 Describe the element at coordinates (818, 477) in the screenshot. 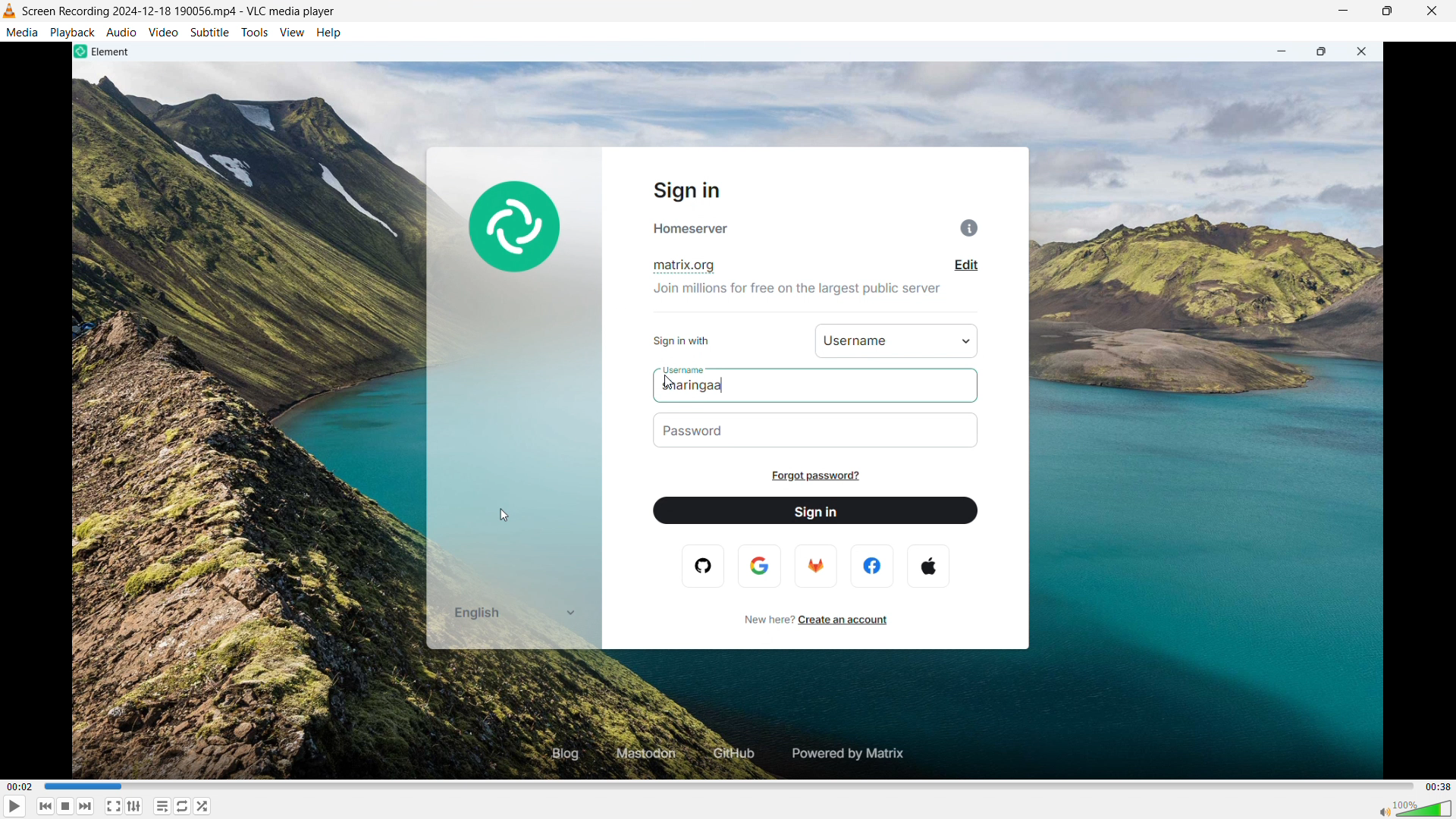

I see `forgot password?` at that location.